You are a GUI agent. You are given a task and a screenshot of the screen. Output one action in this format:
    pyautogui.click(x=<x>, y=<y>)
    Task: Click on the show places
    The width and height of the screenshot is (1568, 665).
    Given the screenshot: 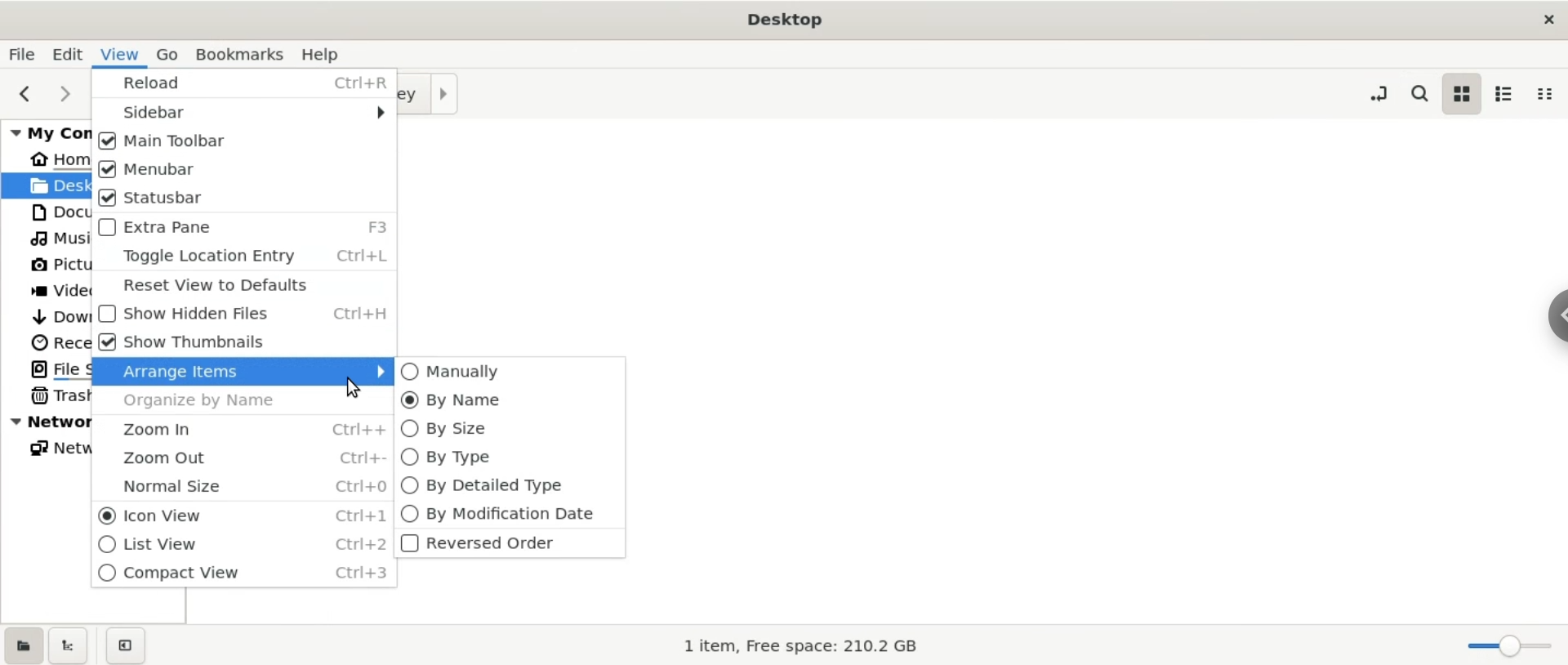 What is the action you would take?
    pyautogui.click(x=23, y=645)
    